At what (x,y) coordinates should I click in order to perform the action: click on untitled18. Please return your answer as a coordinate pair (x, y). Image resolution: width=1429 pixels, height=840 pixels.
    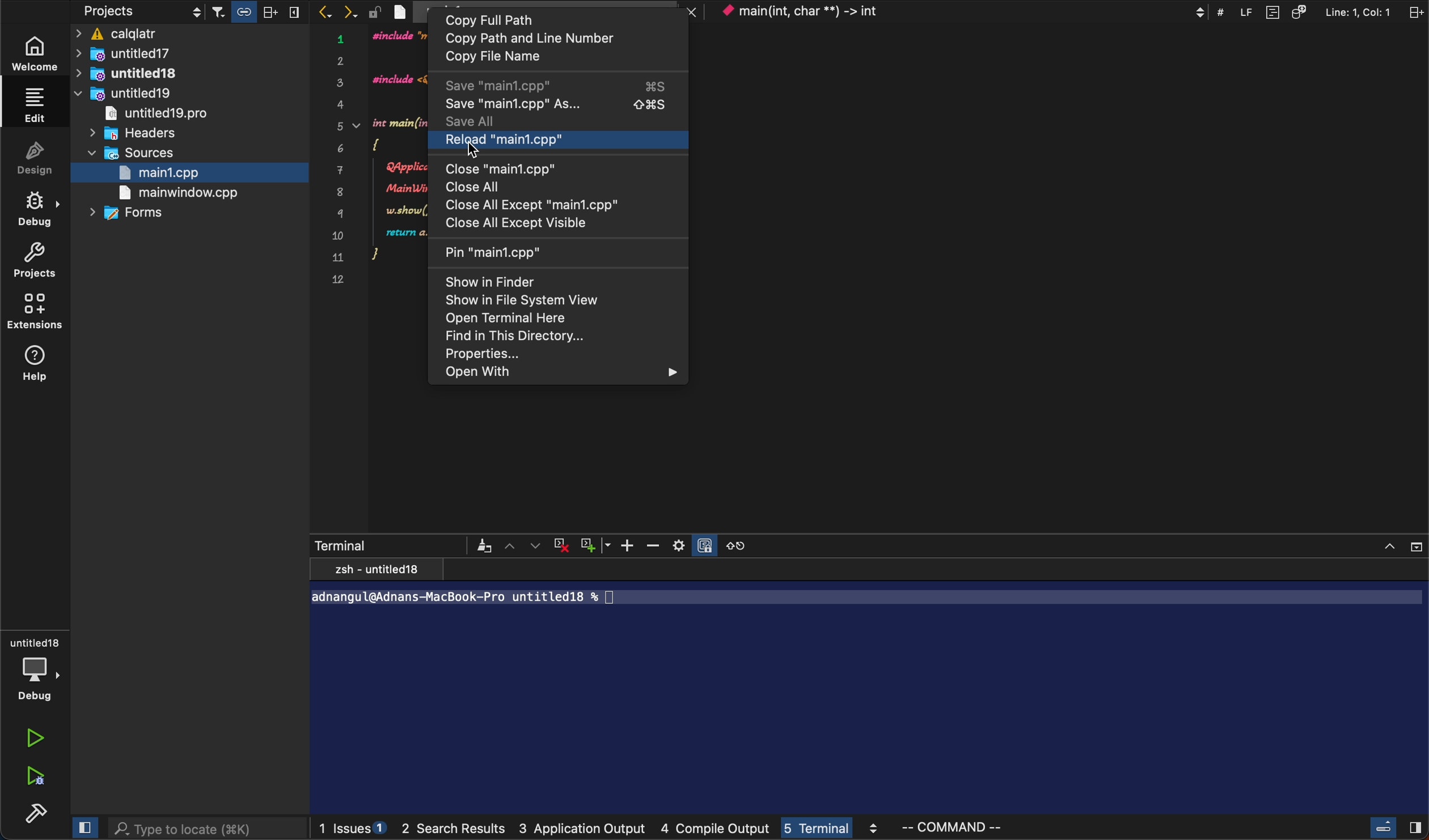
    Looking at the image, I should click on (131, 73).